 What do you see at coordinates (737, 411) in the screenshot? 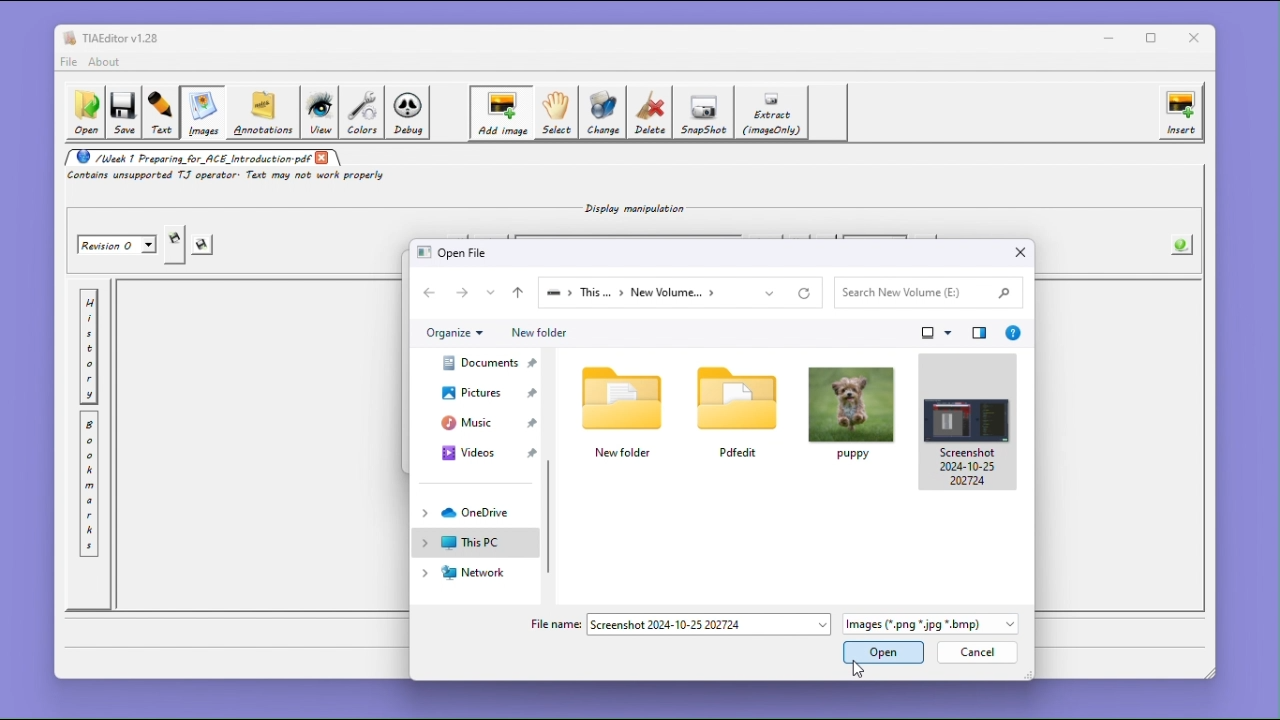
I see `PDFEdit` at bounding box center [737, 411].